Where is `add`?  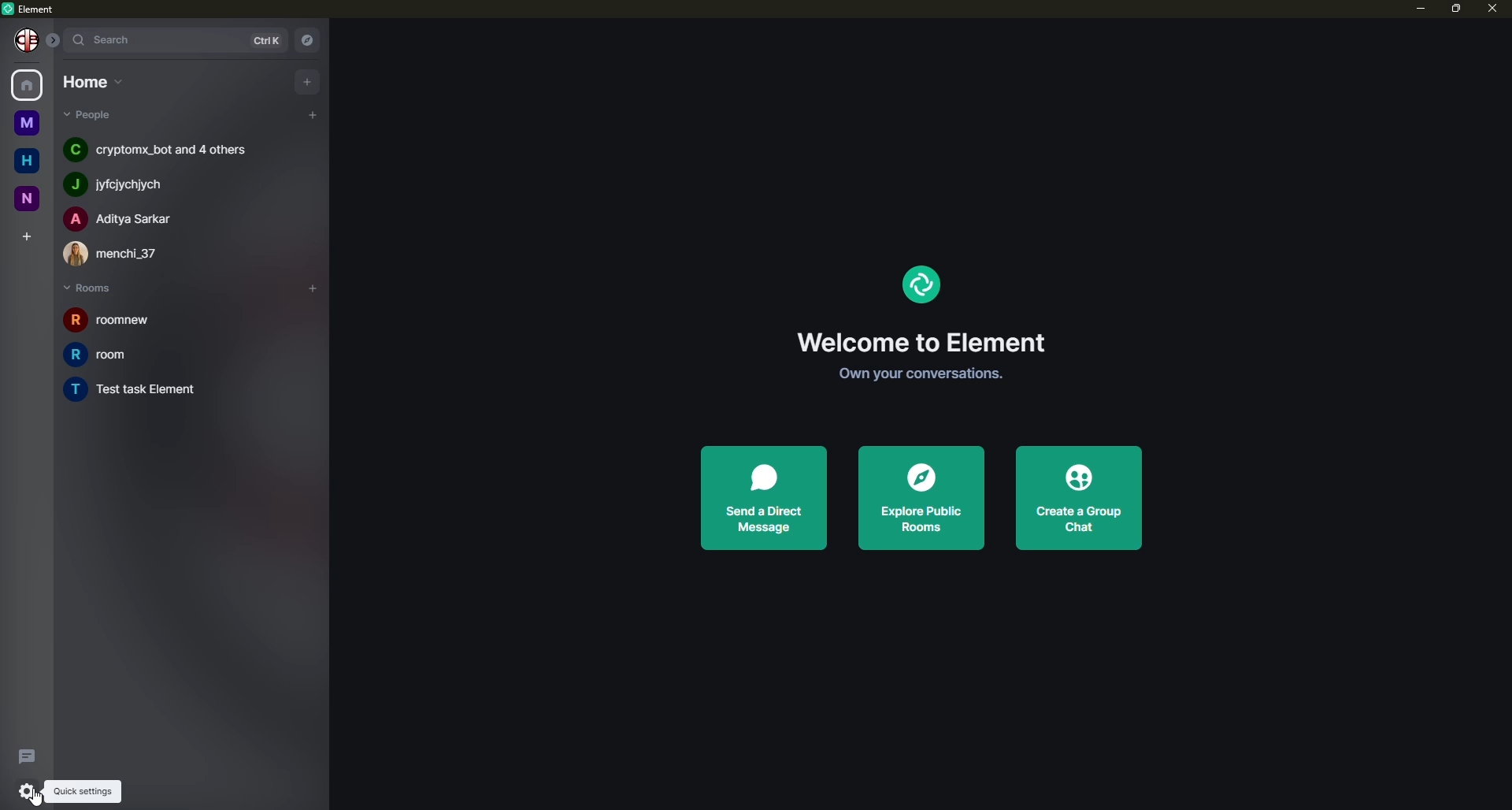 add is located at coordinates (310, 113).